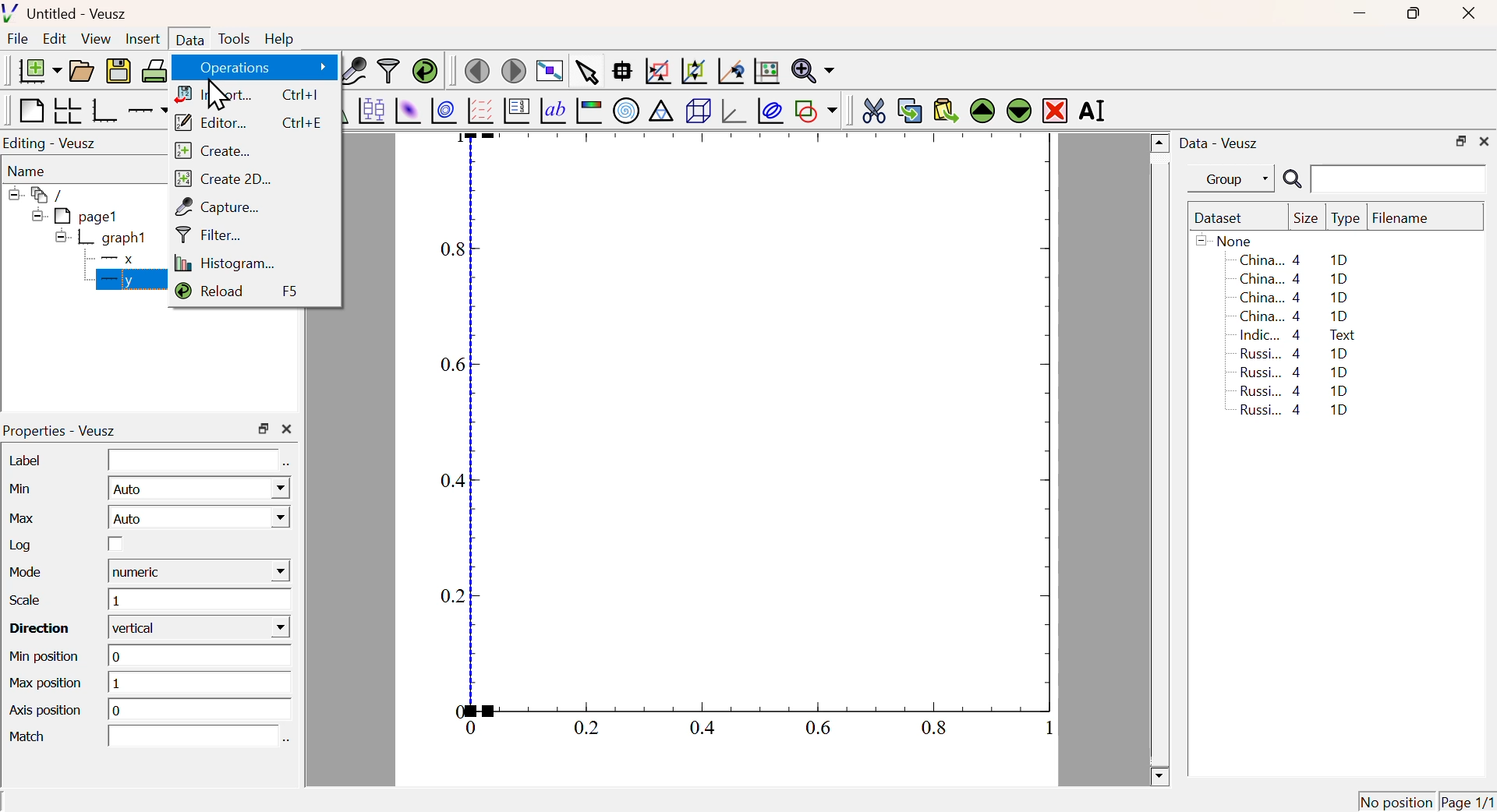 Image resolution: width=1497 pixels, height=812 pixels. What do you see at coordinates (1291, 390) in the screenshot?
I see `Russi... 4 1D` at bounding box center [1291, 390].